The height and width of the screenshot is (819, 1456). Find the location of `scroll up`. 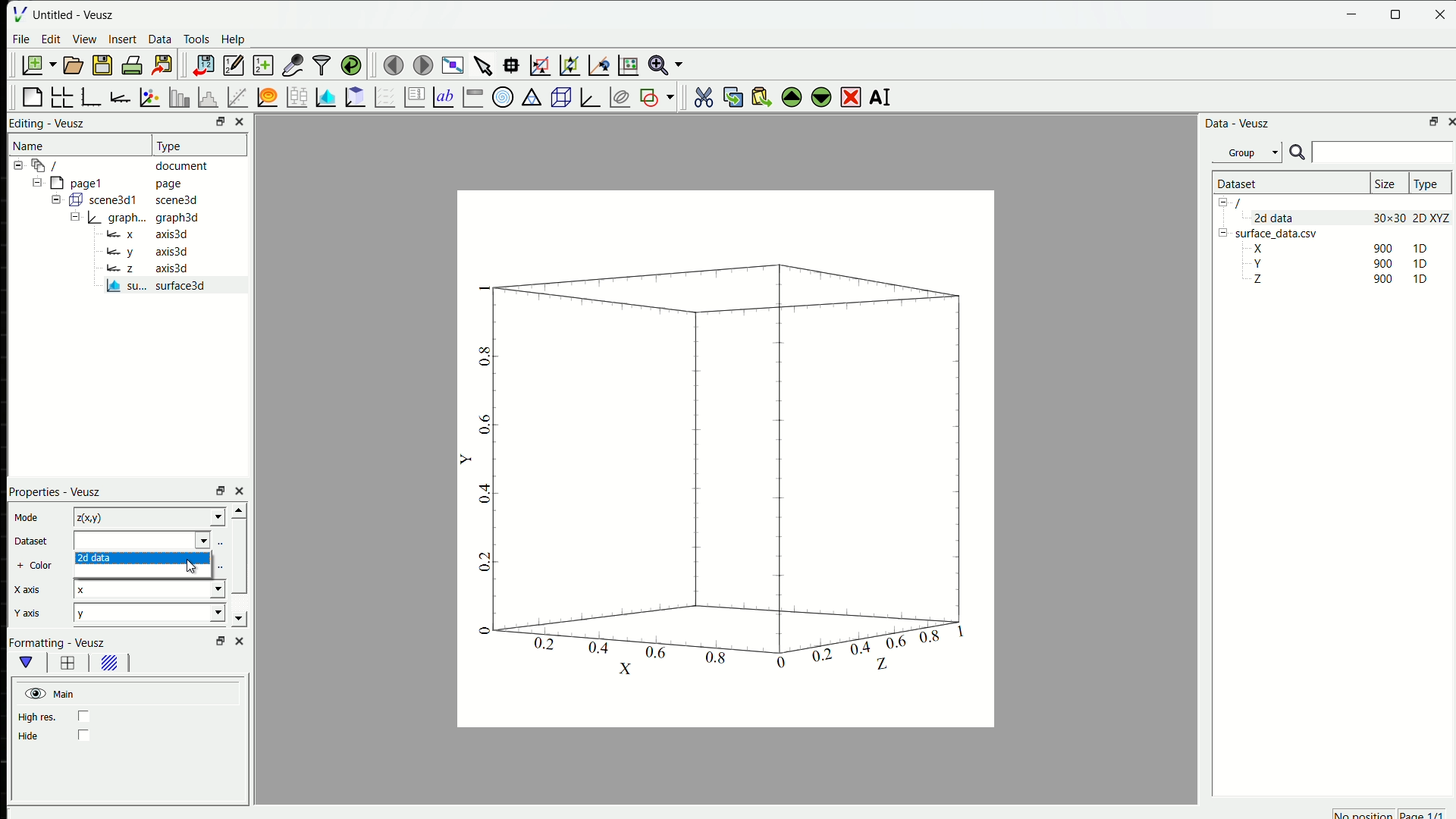

scroll up is located at coordinates (240, 510).